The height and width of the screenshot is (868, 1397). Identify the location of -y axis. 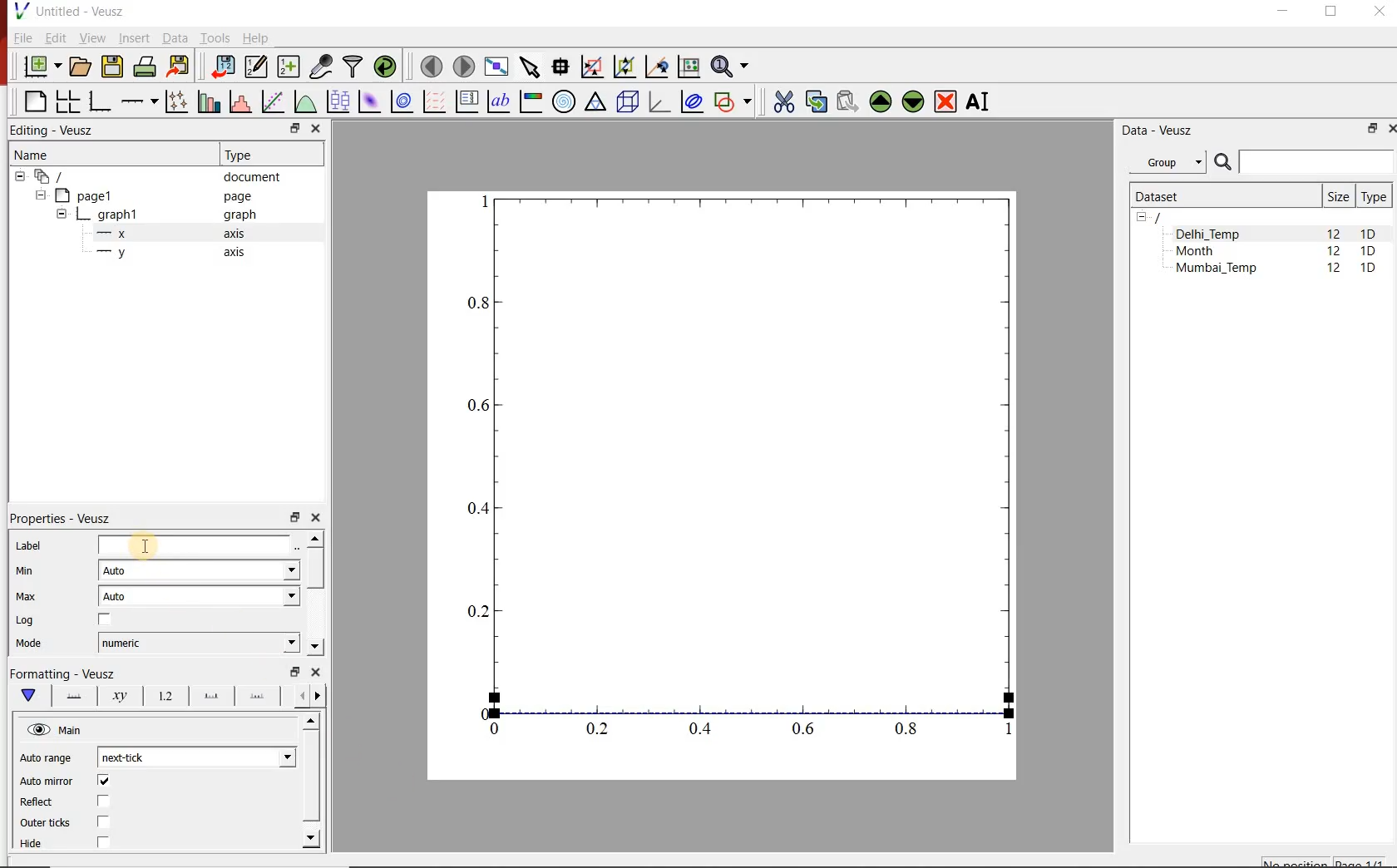
(164, 254).